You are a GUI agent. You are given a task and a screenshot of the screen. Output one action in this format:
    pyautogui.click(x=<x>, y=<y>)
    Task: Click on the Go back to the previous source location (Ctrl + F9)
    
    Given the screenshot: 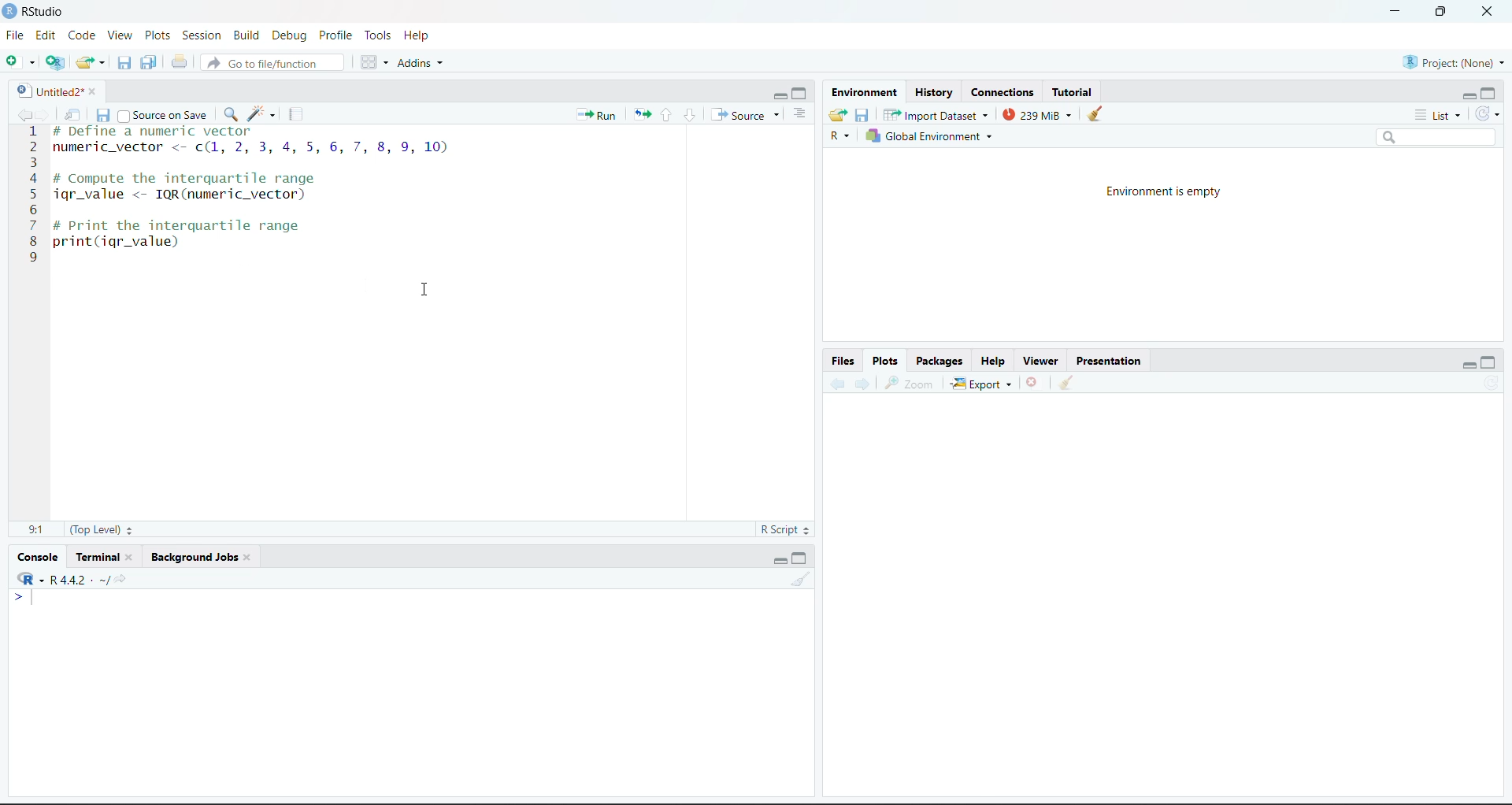 What is the action you would take?
    pyautogui.click(x=23, y=112)
    